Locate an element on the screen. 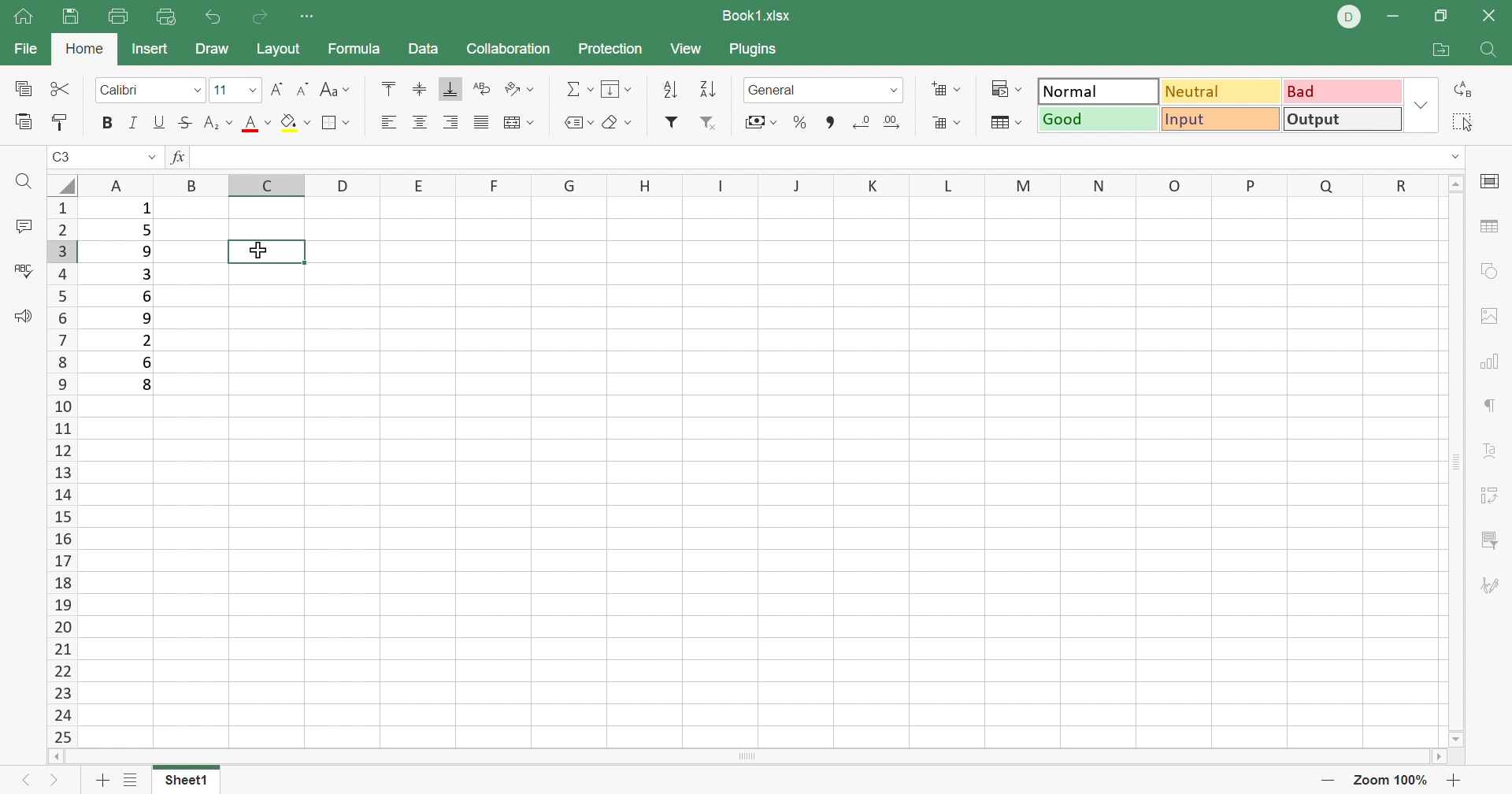 The height and width of the screenshot is (794, 1512). 9 is located at coordinates (150, 317).